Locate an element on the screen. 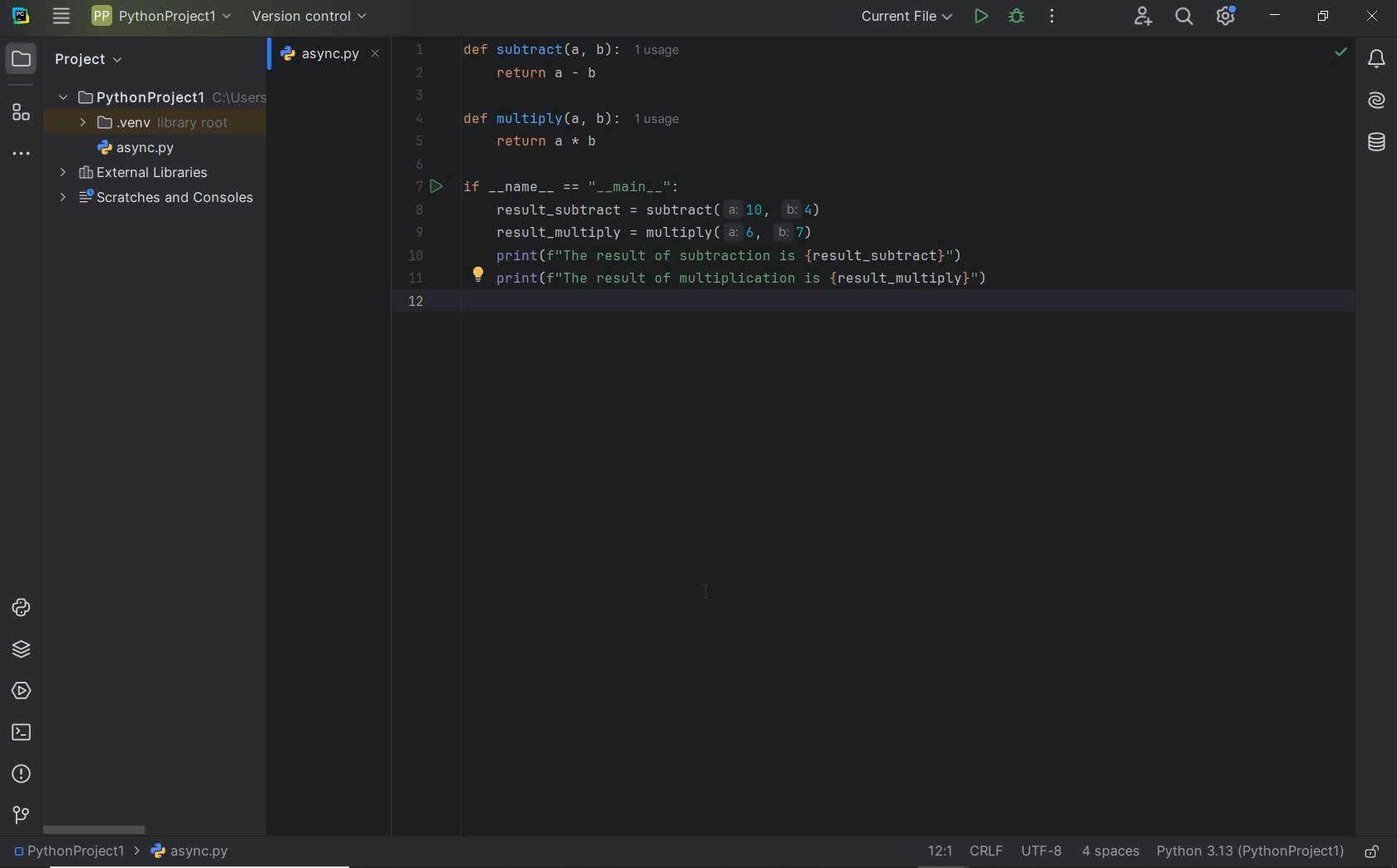  structure is located at coordinates (18, 111).